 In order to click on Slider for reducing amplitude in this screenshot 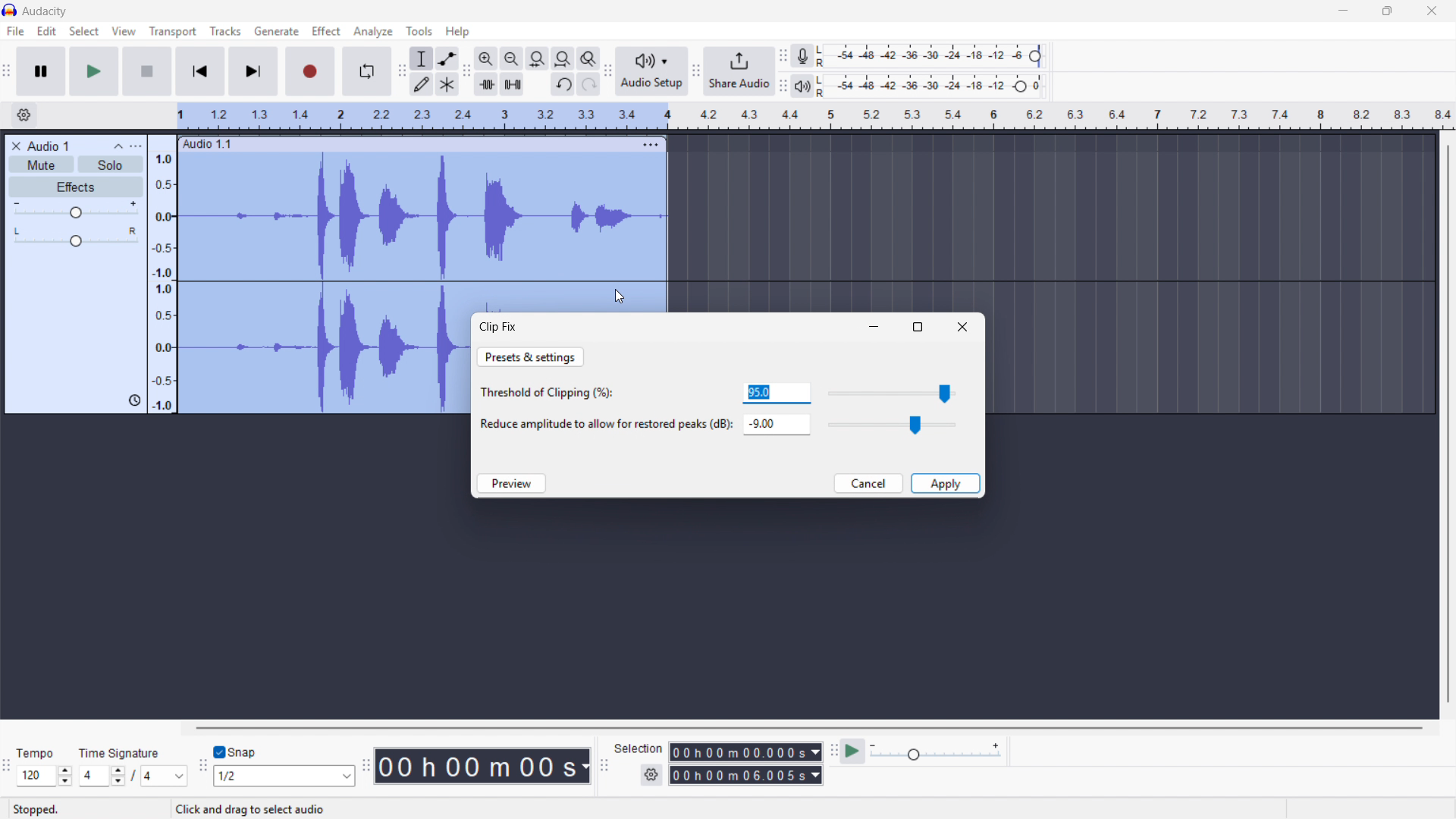, I will do `click(893, 425)`.